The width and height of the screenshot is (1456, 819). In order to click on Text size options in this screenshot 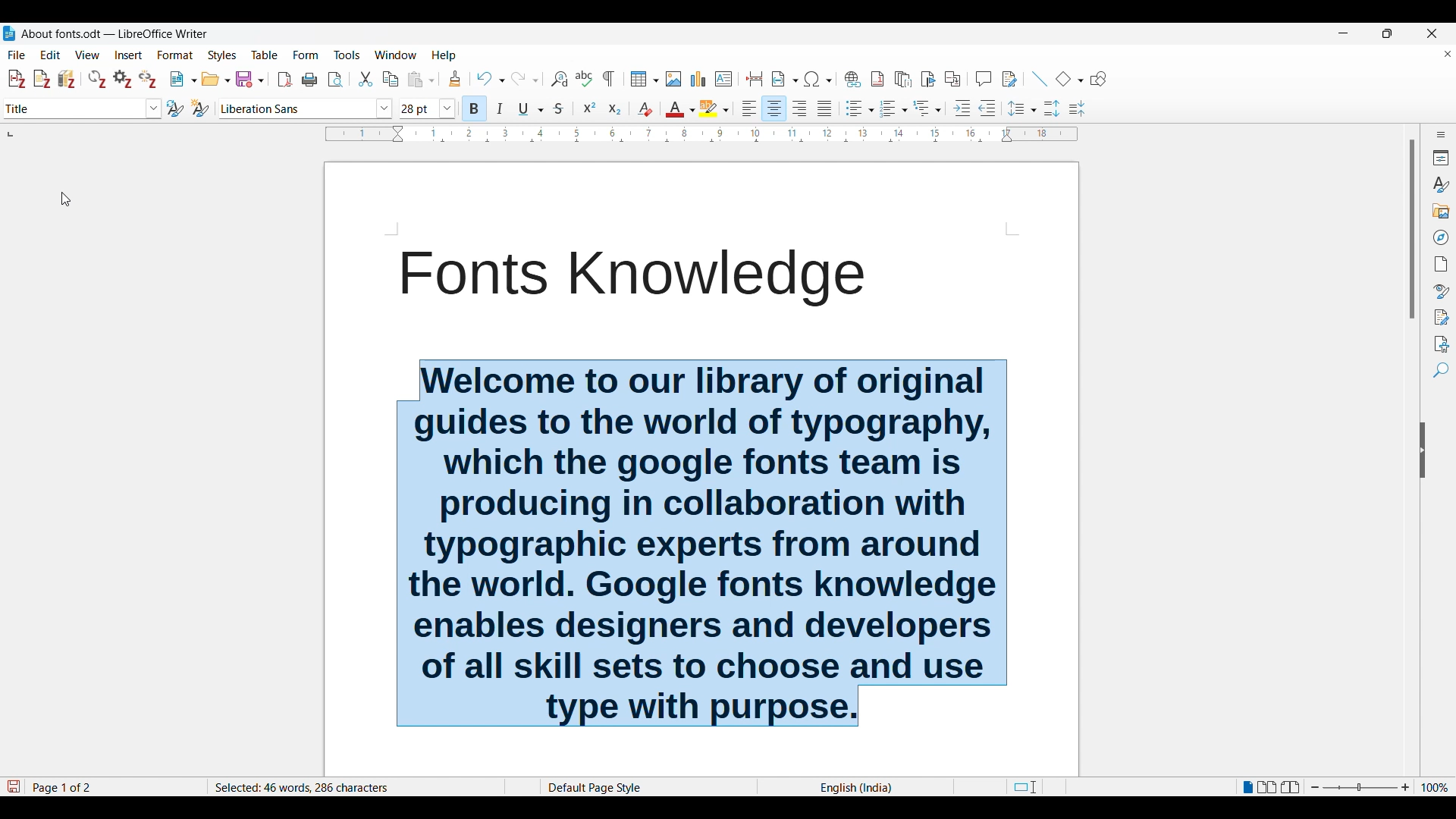, I will do `click(427, 108)`.